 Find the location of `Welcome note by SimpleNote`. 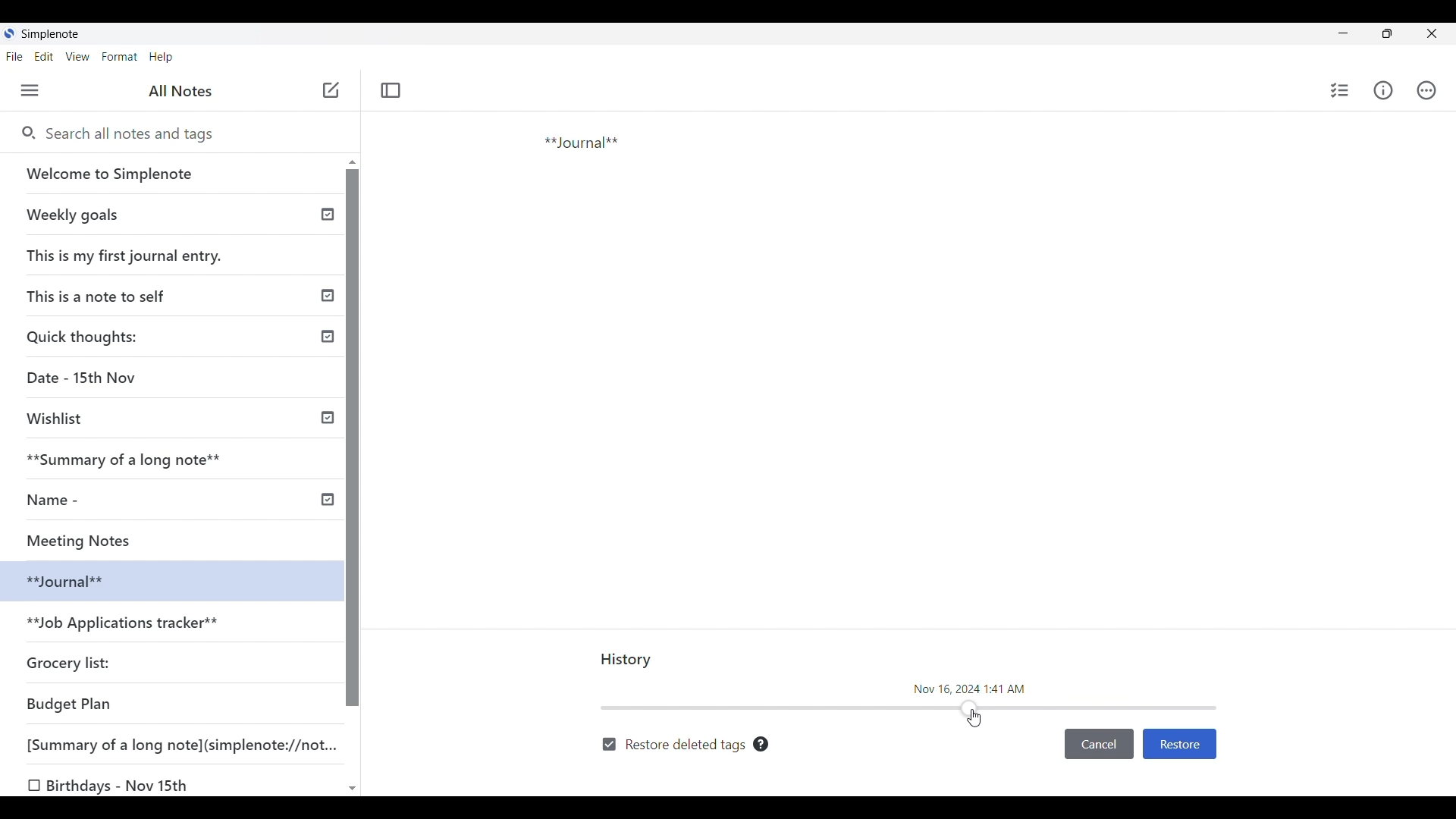

Welcome note by SimpleNote is located at coordinates (173, 173).